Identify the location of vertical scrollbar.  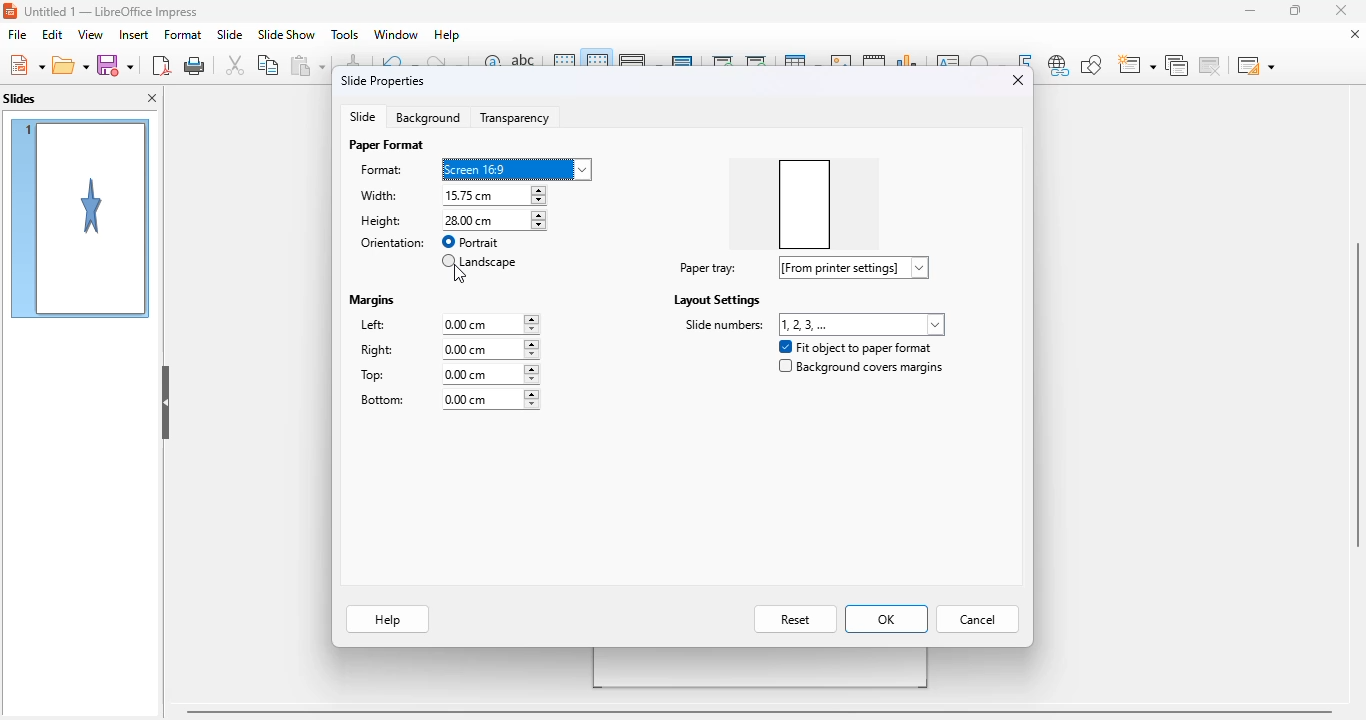
(1357, 394).